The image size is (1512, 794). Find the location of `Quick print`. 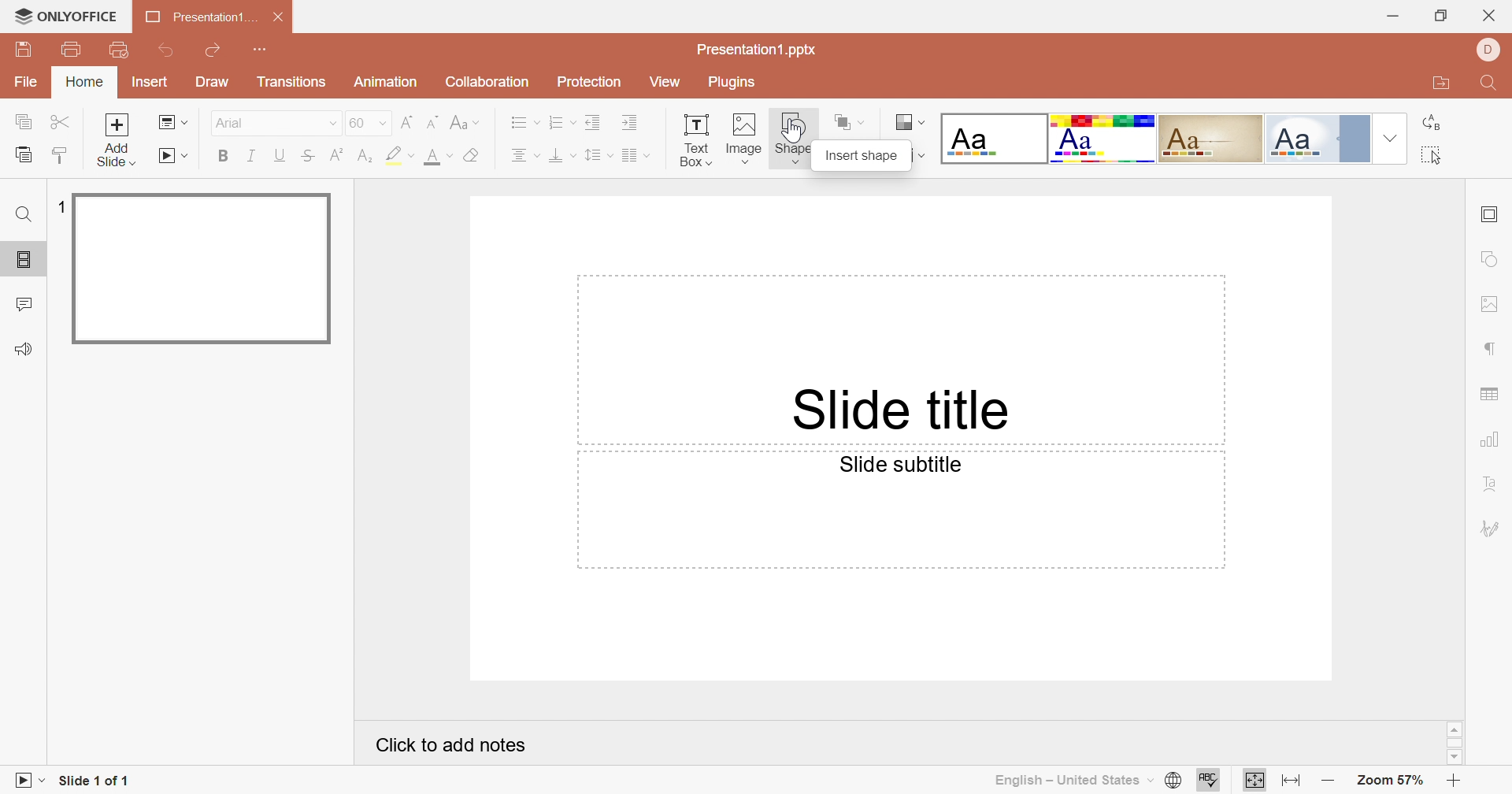

Quick print is located at coordinates (121, 50).